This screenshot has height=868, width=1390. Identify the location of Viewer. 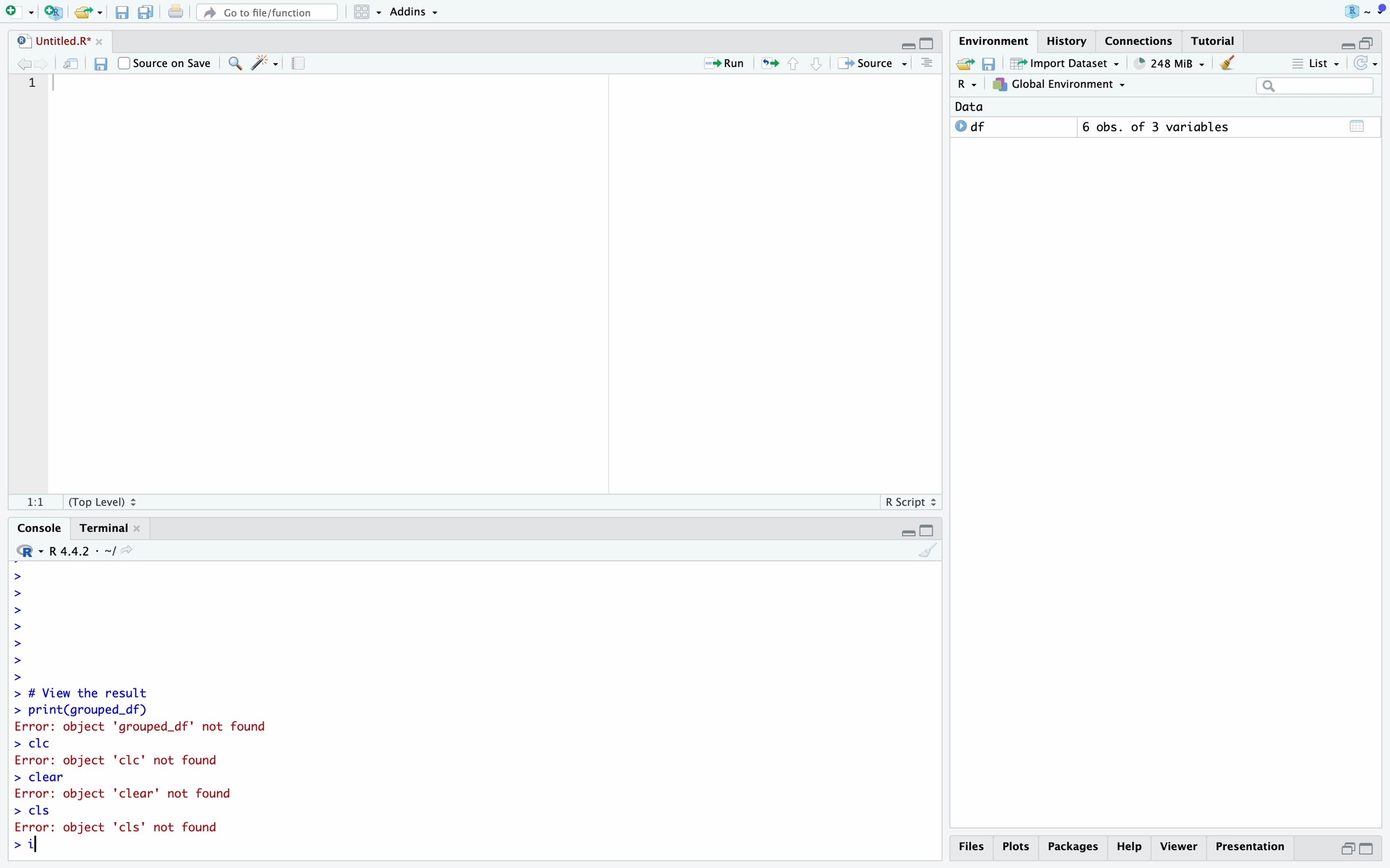
(1180, 847).